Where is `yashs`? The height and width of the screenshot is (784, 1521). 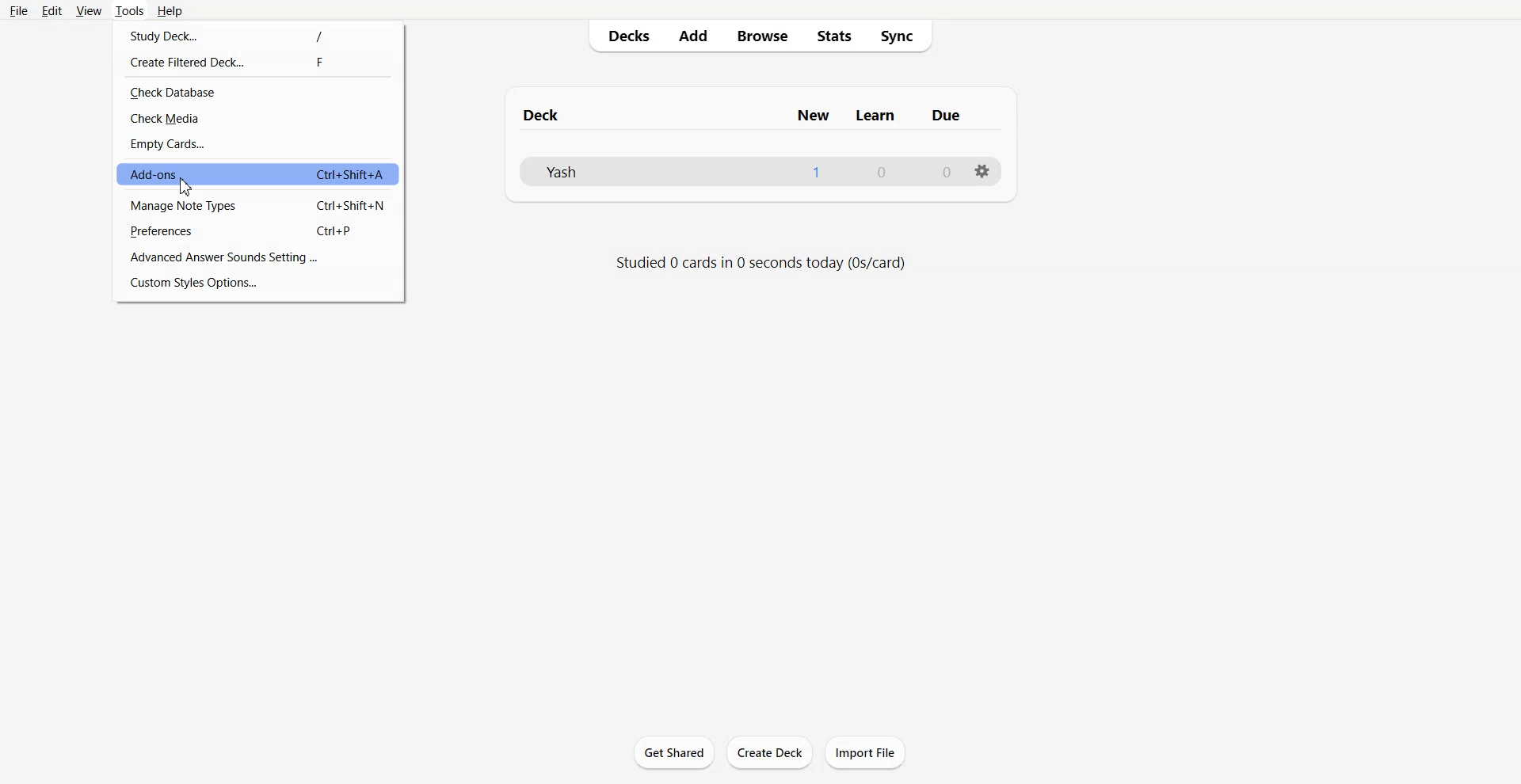 yashs is located at coordinates (581, 169).